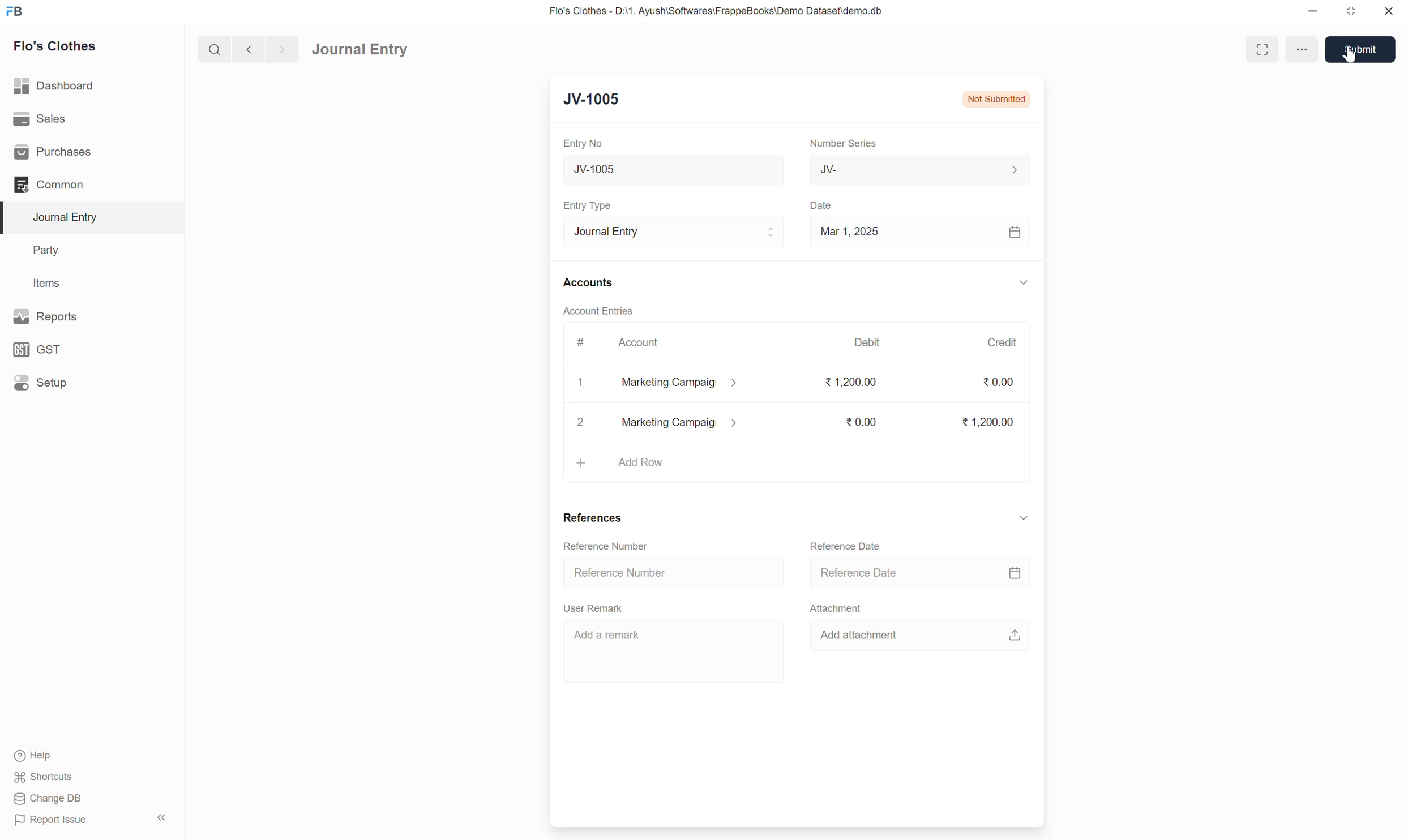 The height and width of the screenshot is (840, 1408). Describe the element at coordinates (246, 49) in the screenshot. I see `back` at that location.